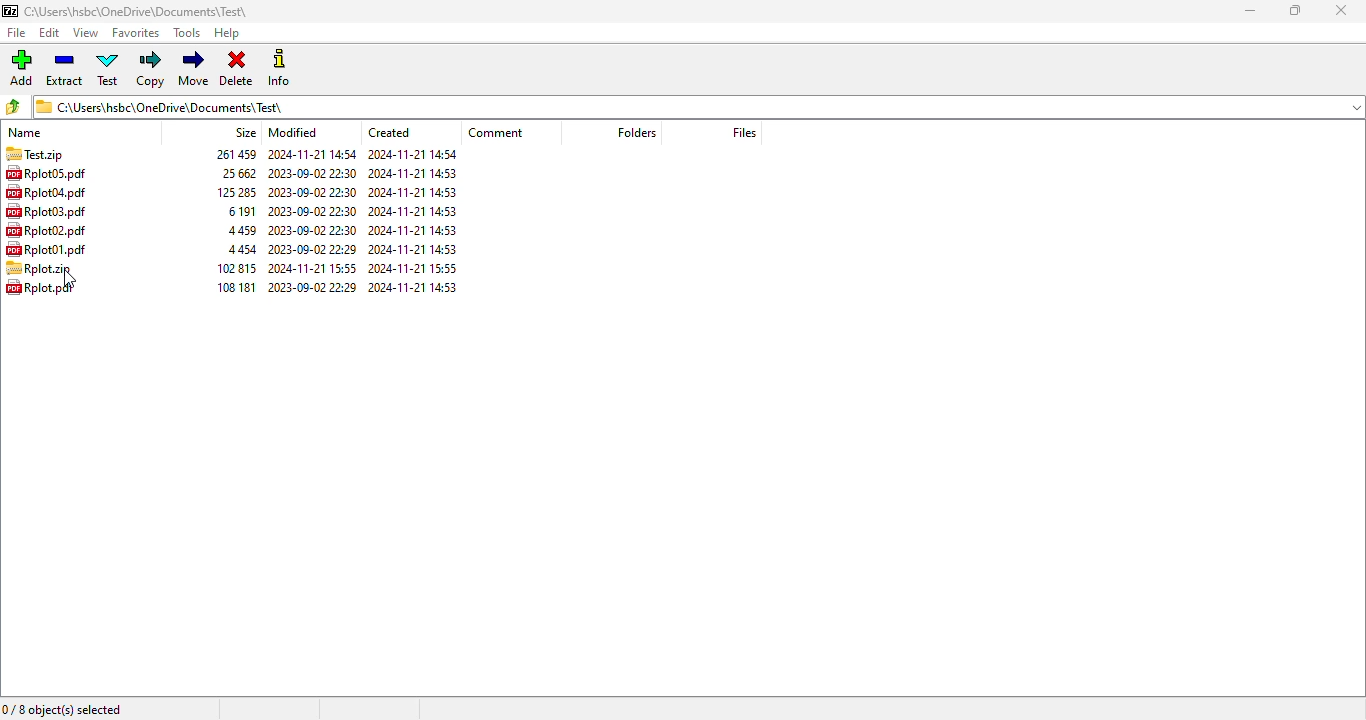 This screenshot has height=720, width=1366. What do you see at coordinates (27, 132) in the screenshot?
I see `name` at bounding box center [27, 132].